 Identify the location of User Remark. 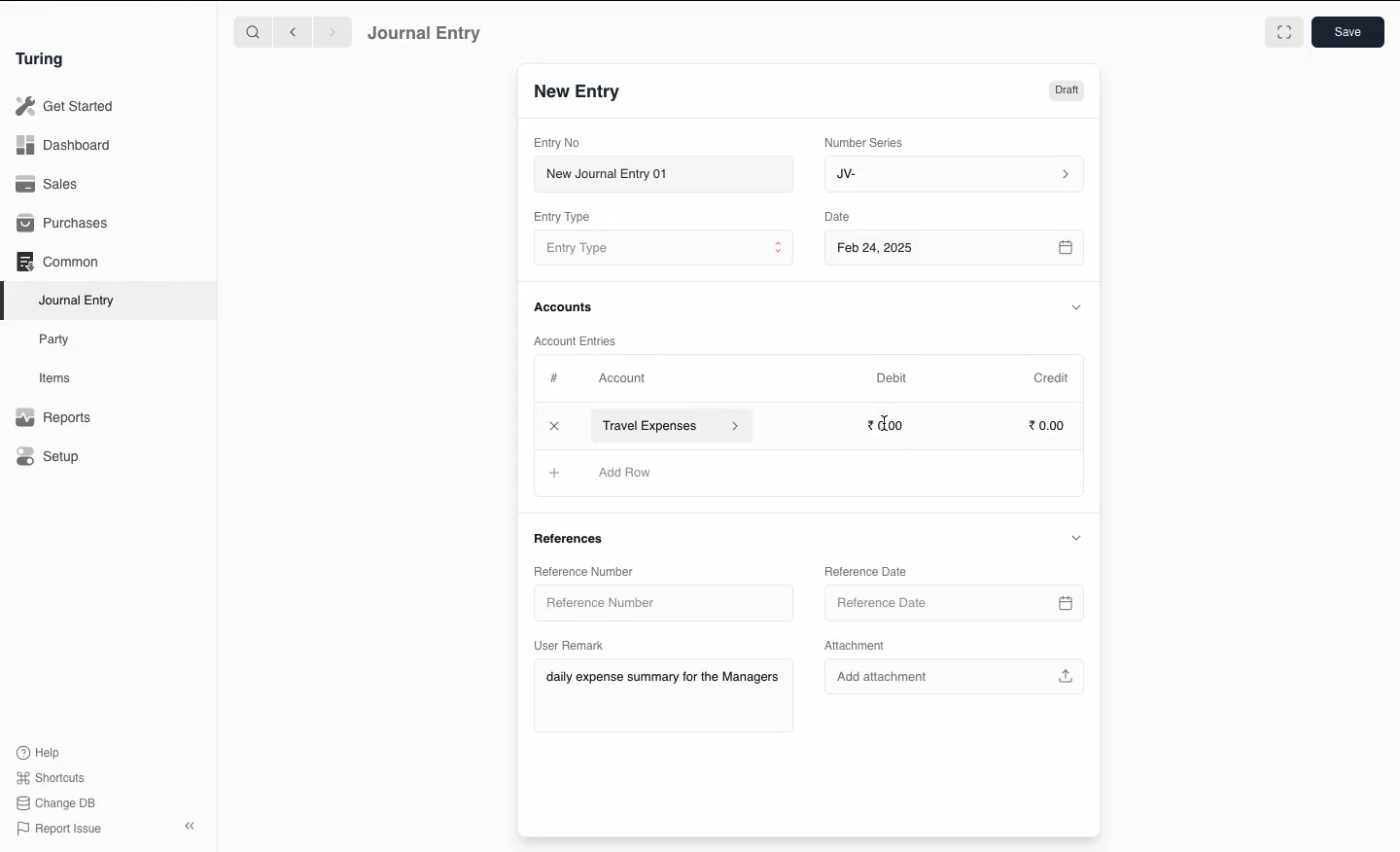
(572, 645).